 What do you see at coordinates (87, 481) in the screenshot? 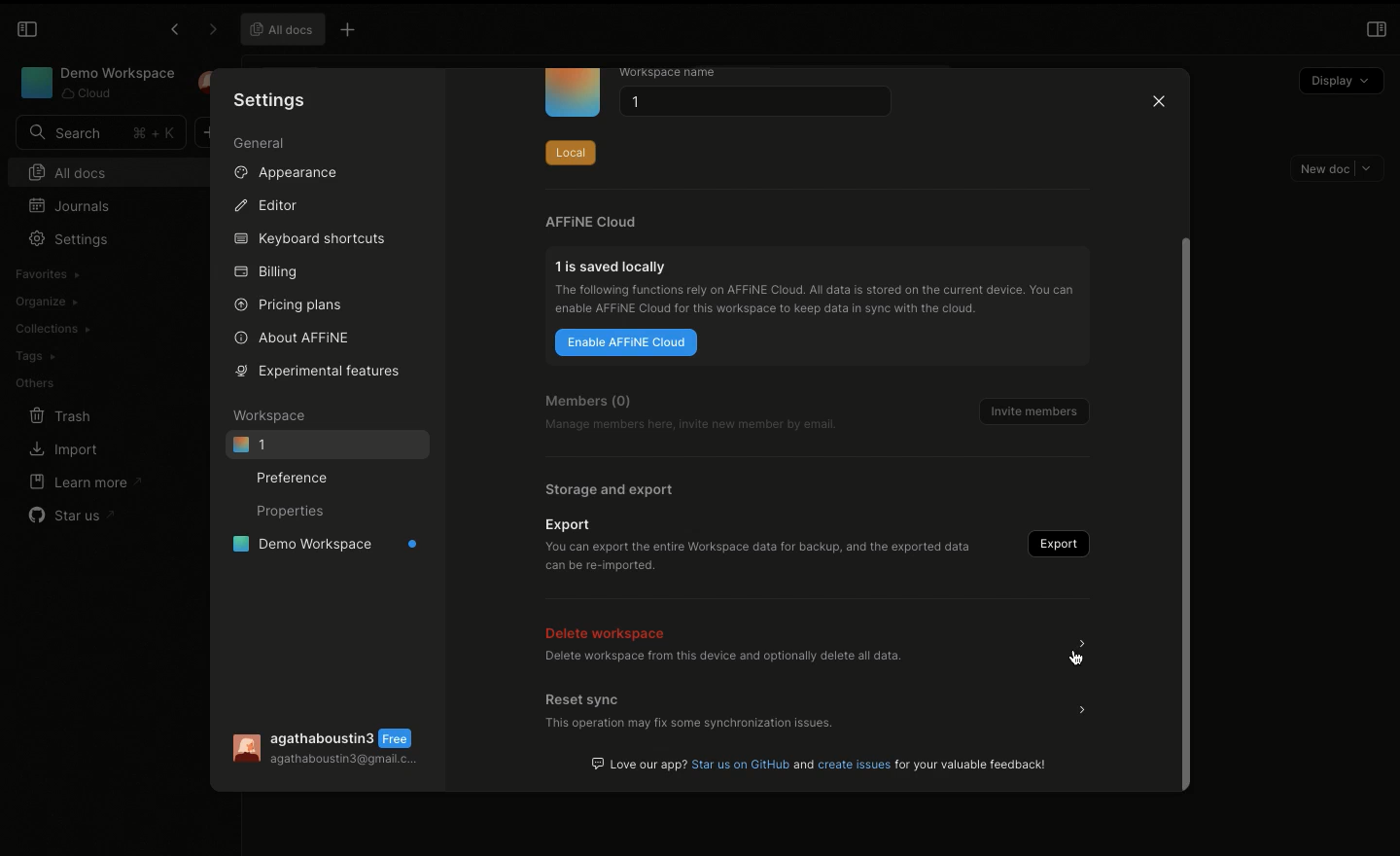
I see `Learn more` at bounding box center [87, 481].